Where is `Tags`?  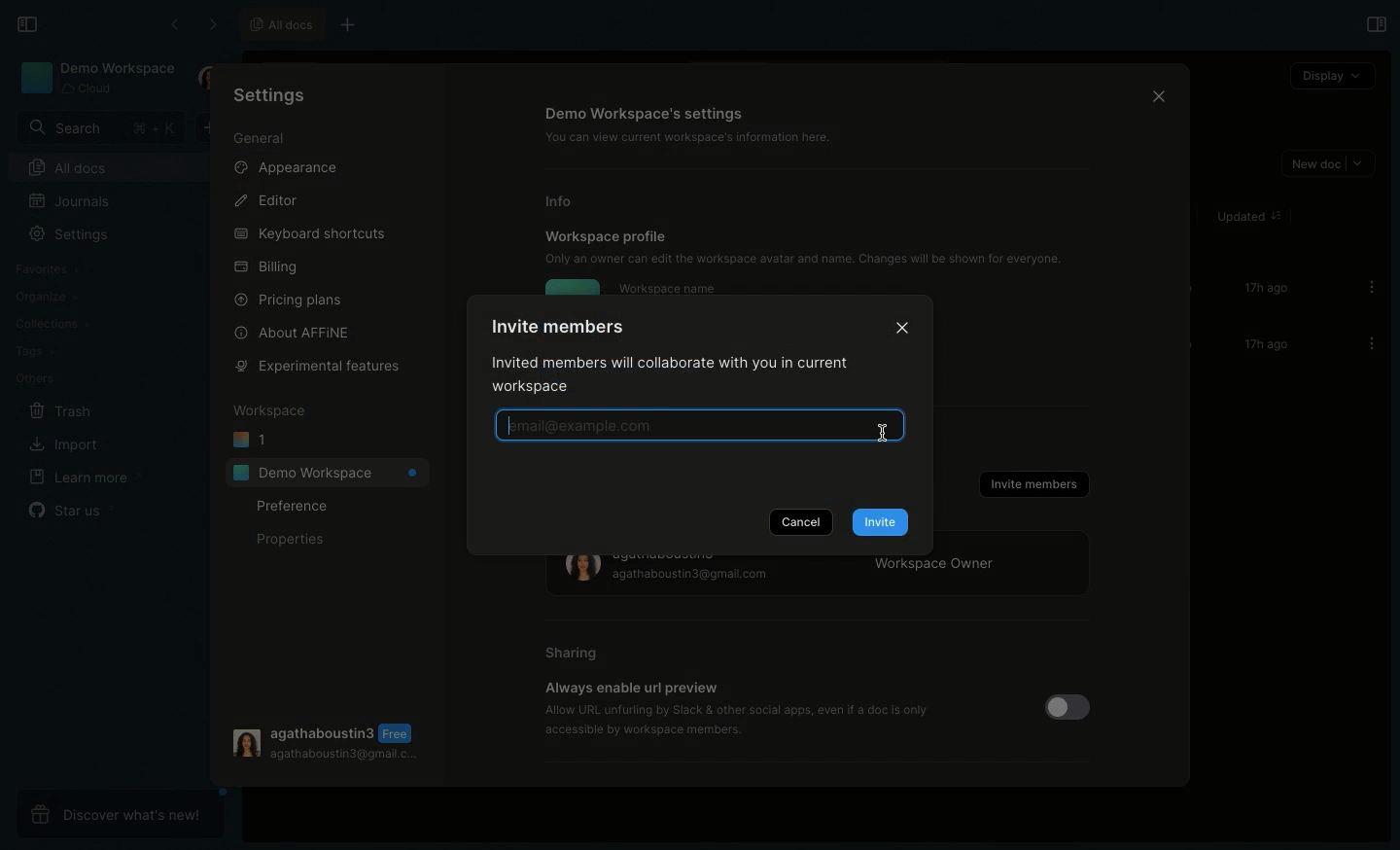 Tags is located at coordinates (31, 351).